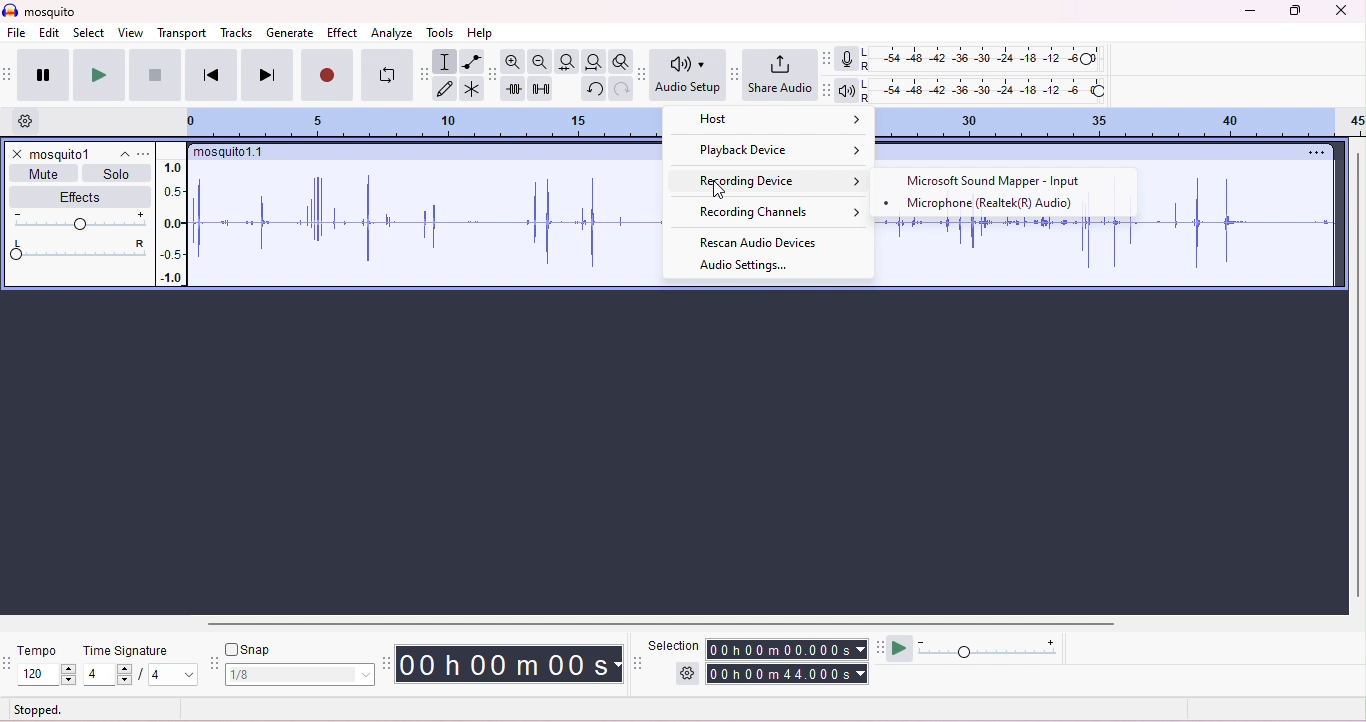 This screenshot has height=722, width=1366. I want to click on timeline, so click(433, 123).